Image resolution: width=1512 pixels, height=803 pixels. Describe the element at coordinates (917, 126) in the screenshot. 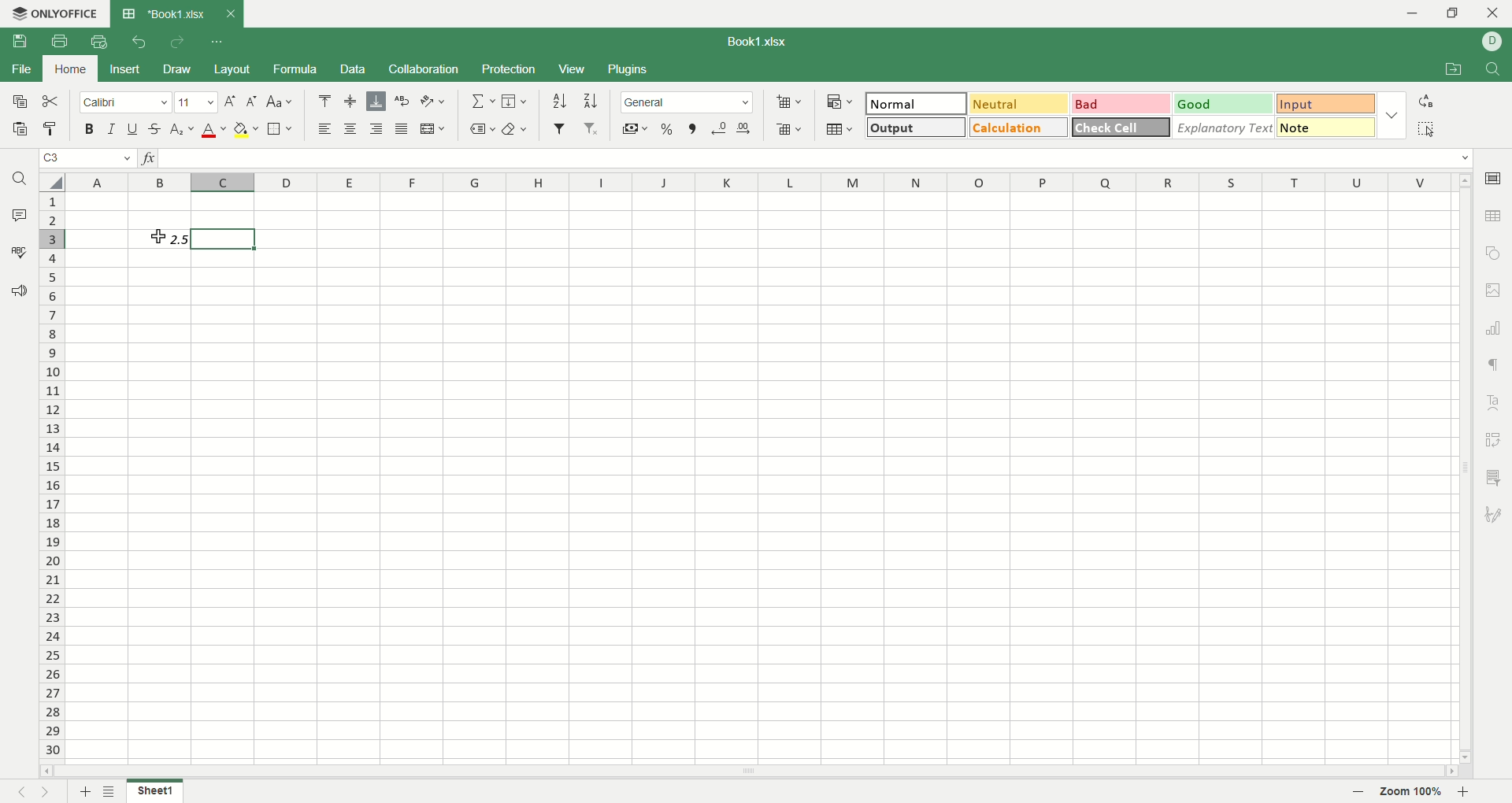

I see `output` at that location.